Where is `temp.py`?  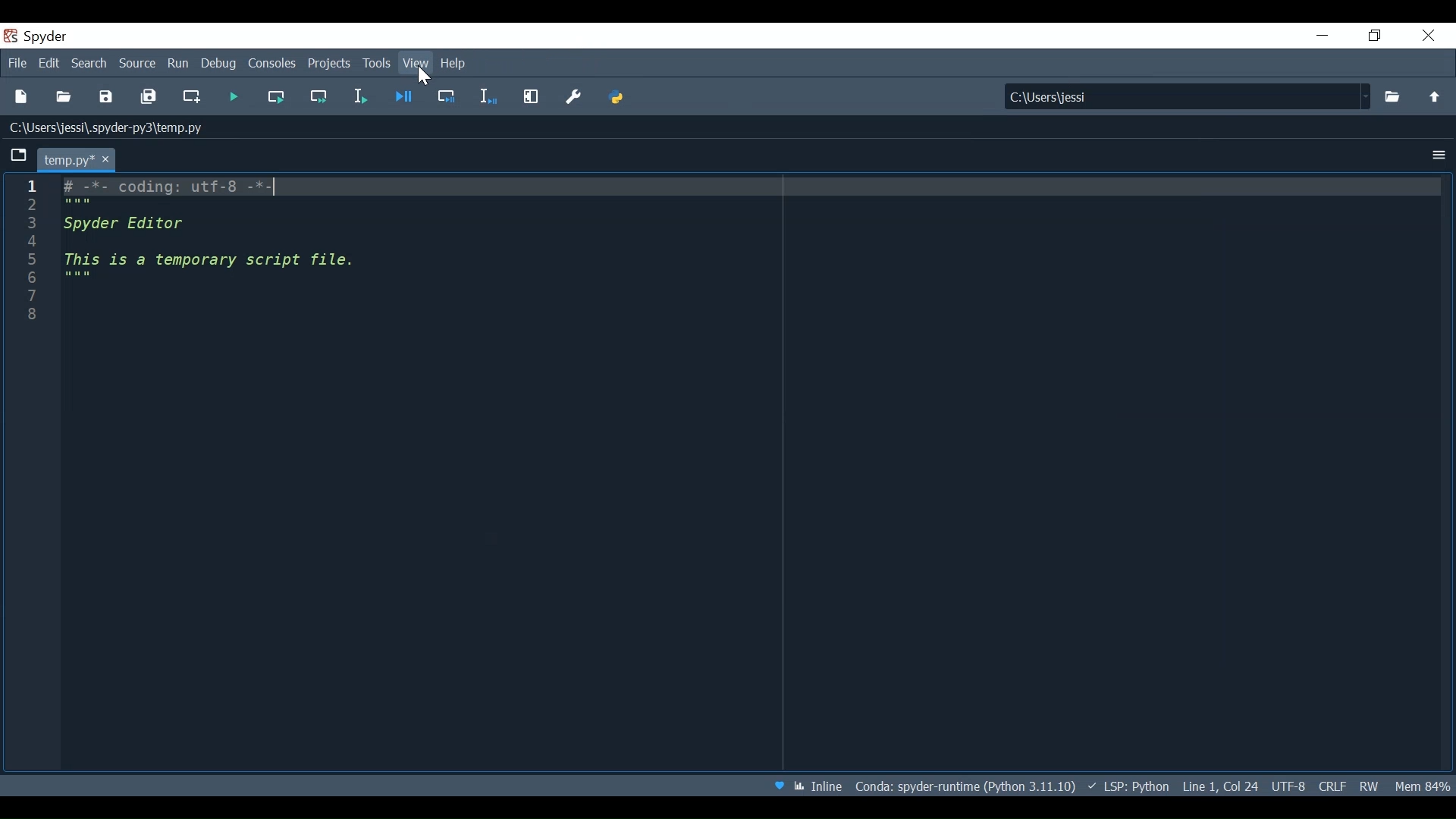 temp.py is located at coordinates (75, 158).